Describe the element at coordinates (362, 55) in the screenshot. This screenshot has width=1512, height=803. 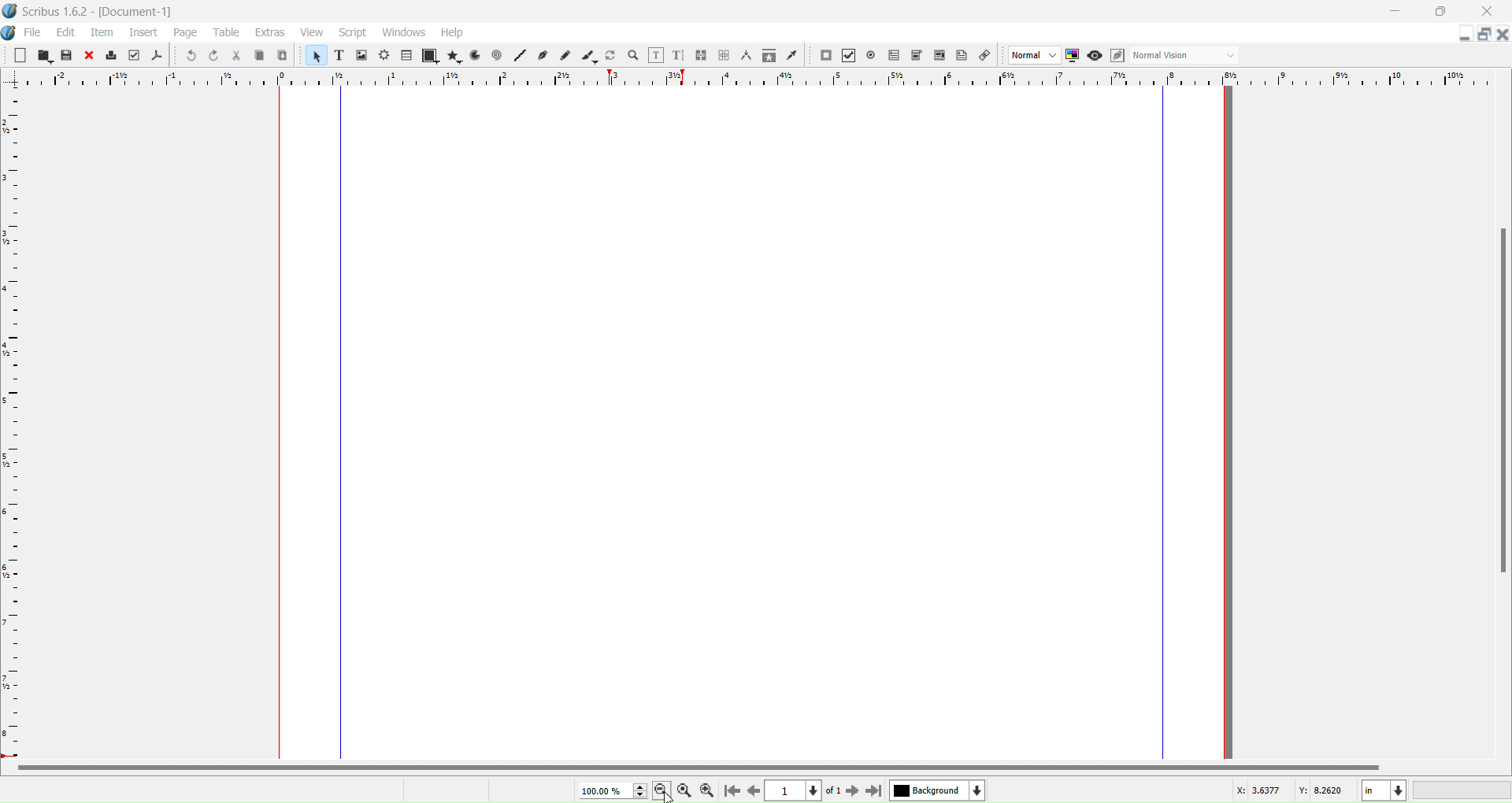
I see `Image Frame` at that location.